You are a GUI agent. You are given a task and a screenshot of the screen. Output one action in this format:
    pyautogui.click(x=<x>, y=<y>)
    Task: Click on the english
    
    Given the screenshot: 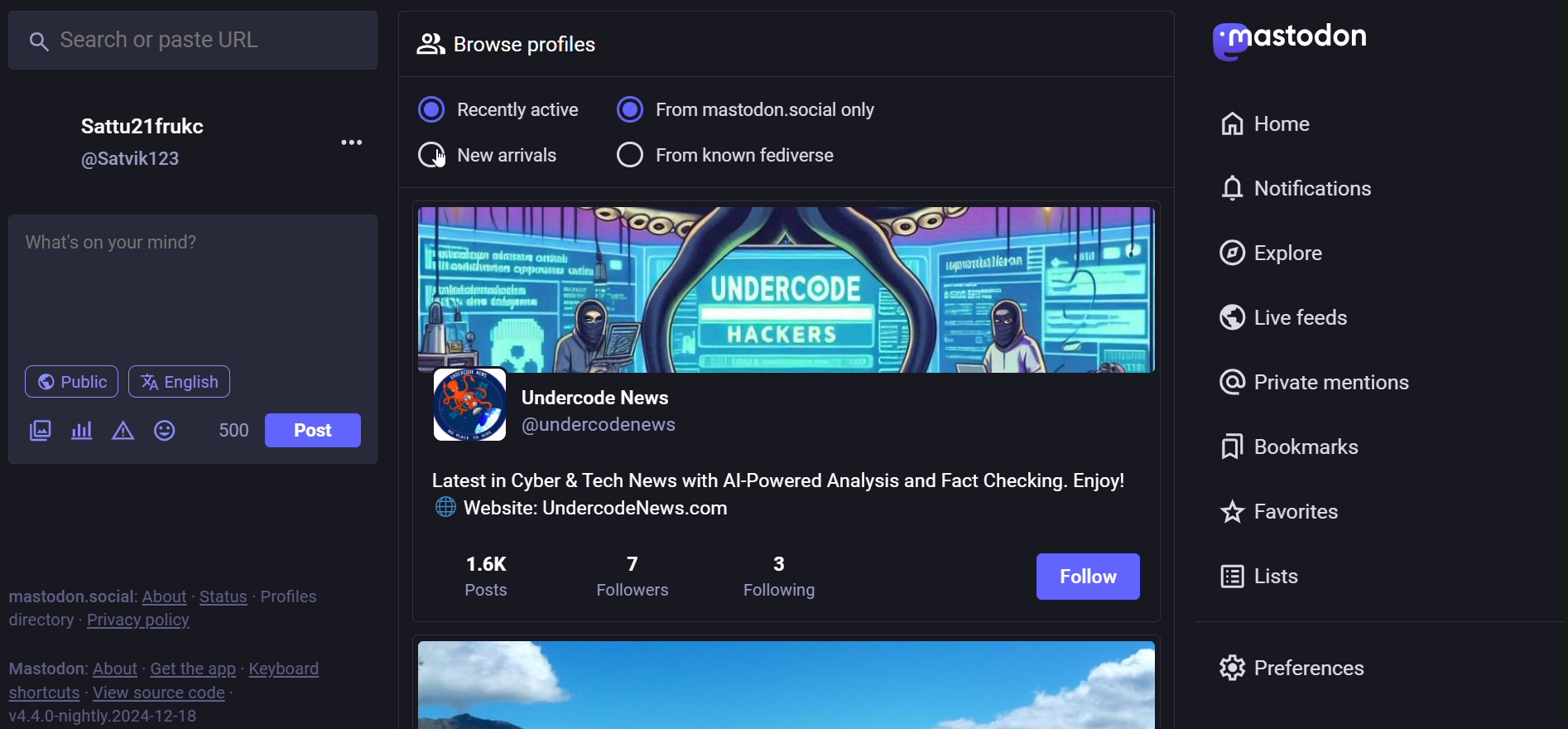 What is the action you would take?
    pyautogui.click(x=180, y=383)
    